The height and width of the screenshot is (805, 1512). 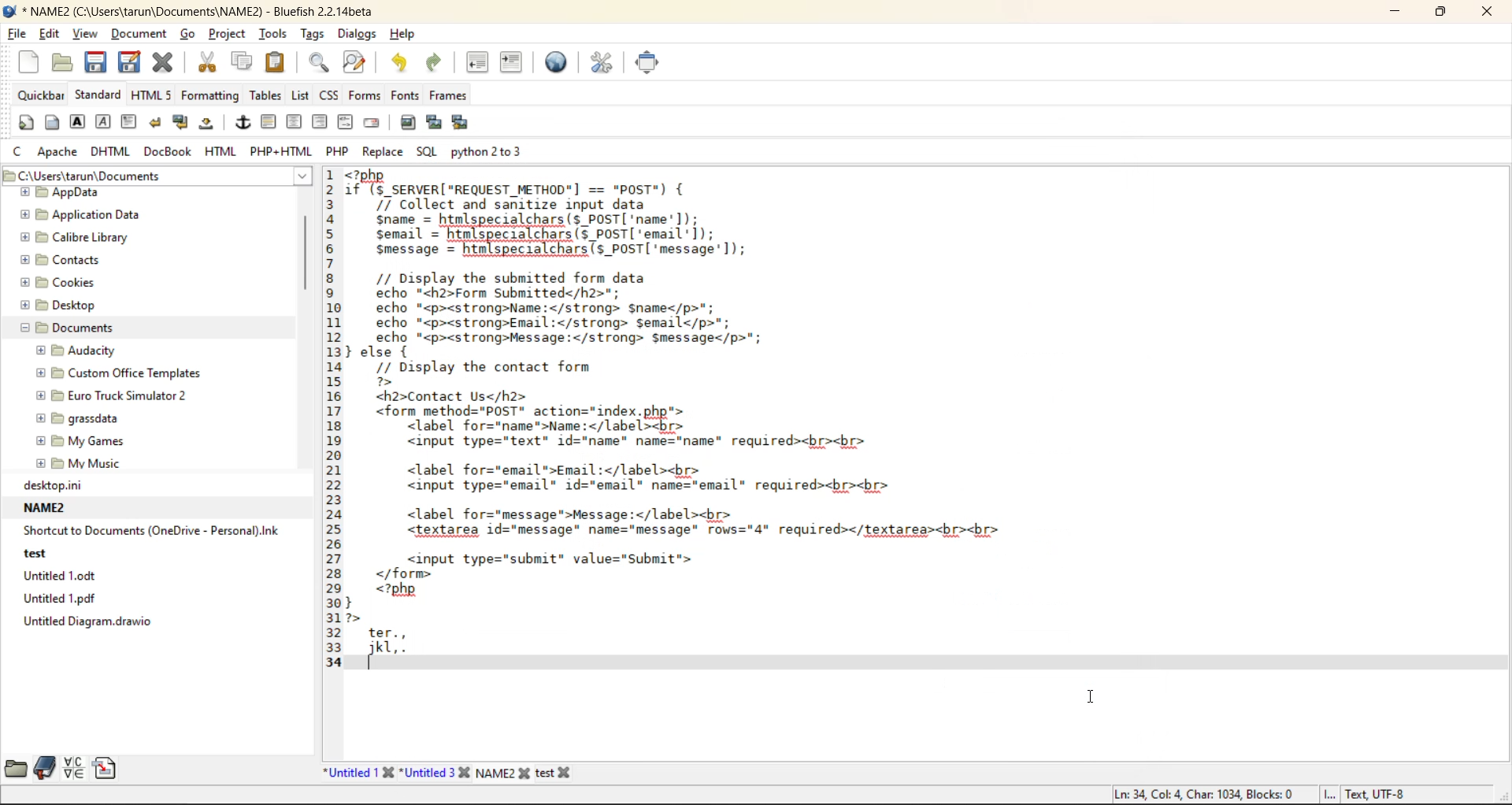 What do you see at coordinates (267, 123) in the screenshot?
I see `horizontal rule` at bounding box center [267, 123].